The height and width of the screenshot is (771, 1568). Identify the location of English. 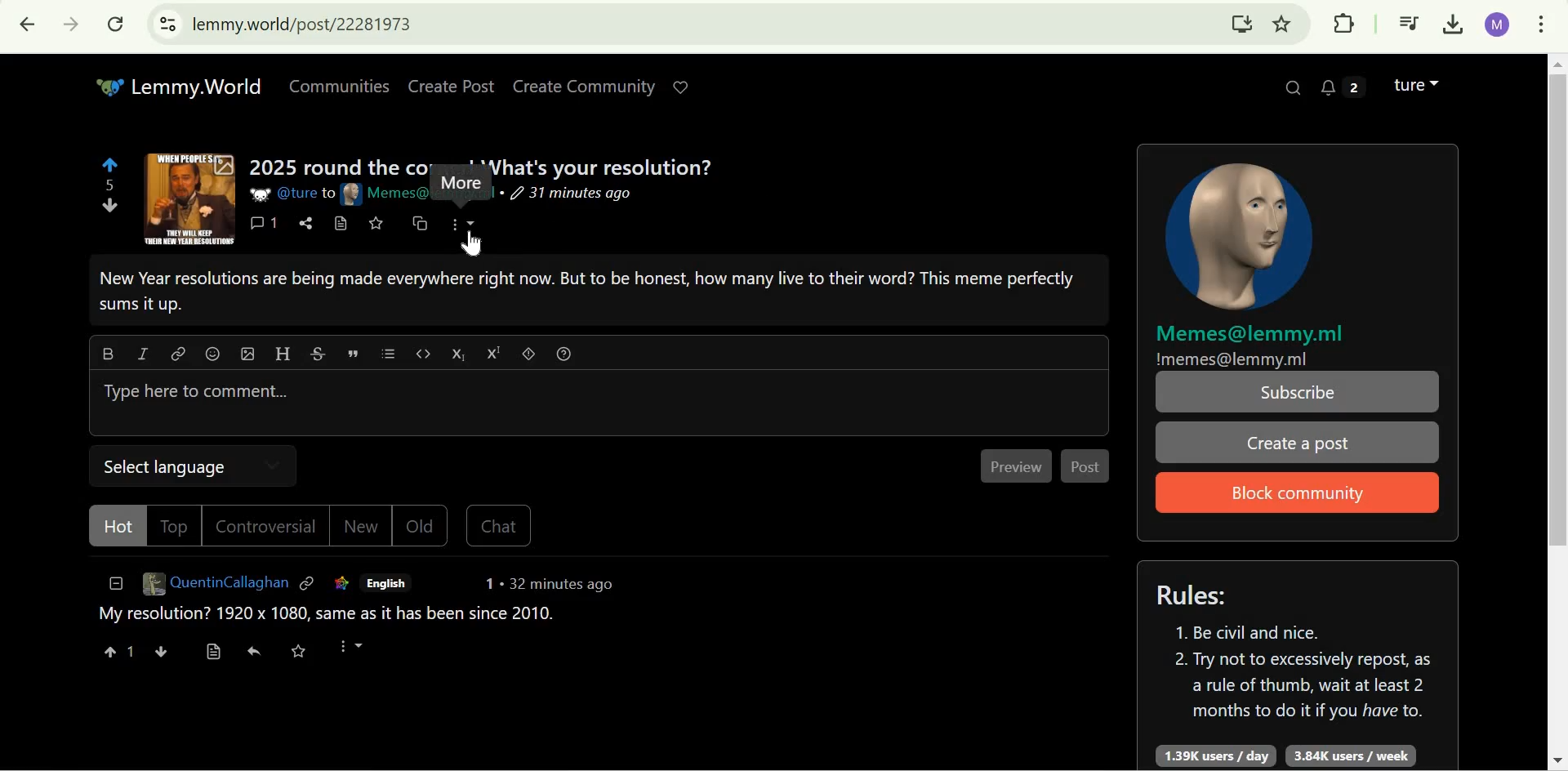
(389, 584).